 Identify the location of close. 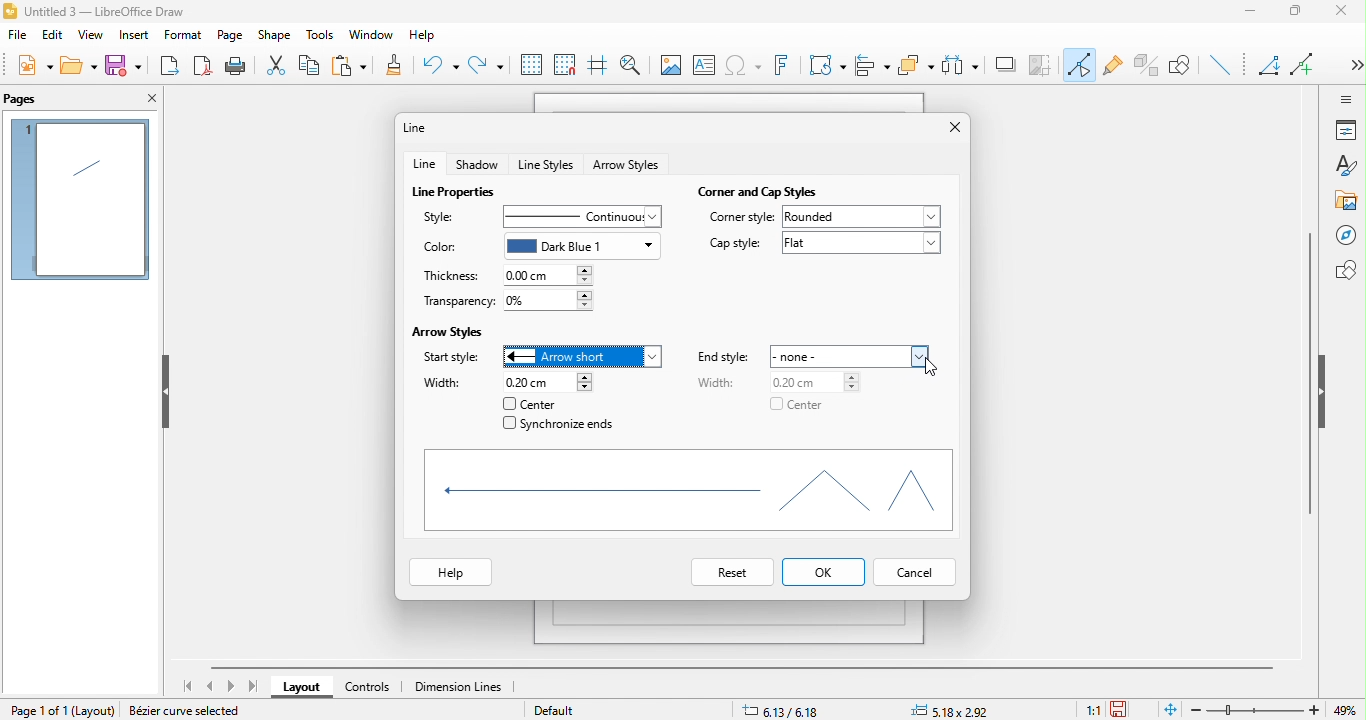
(149, 100).